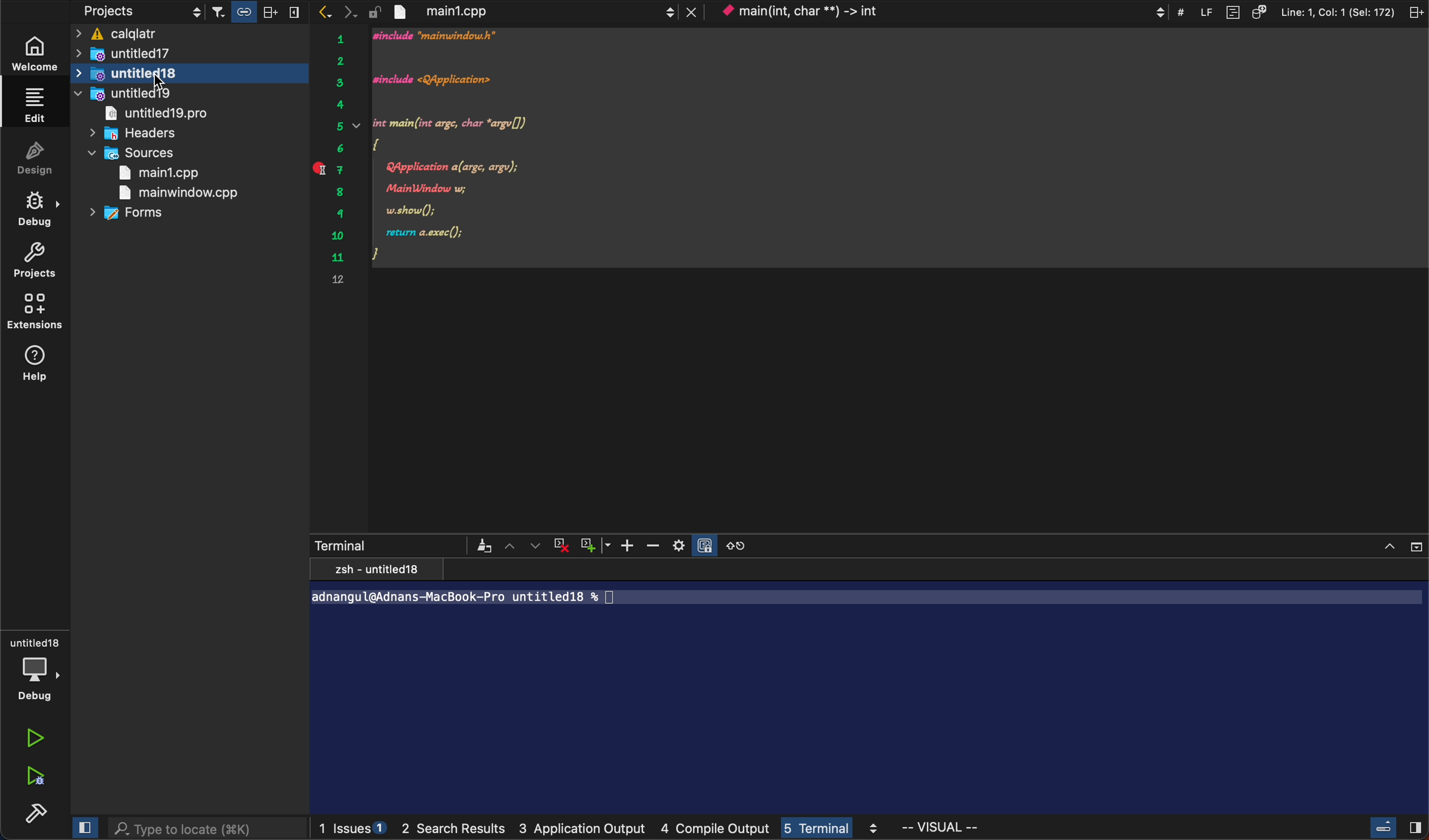 The width and height of the screenshot is (1429, 840). I want to click on untitled19, so click(162, 96).